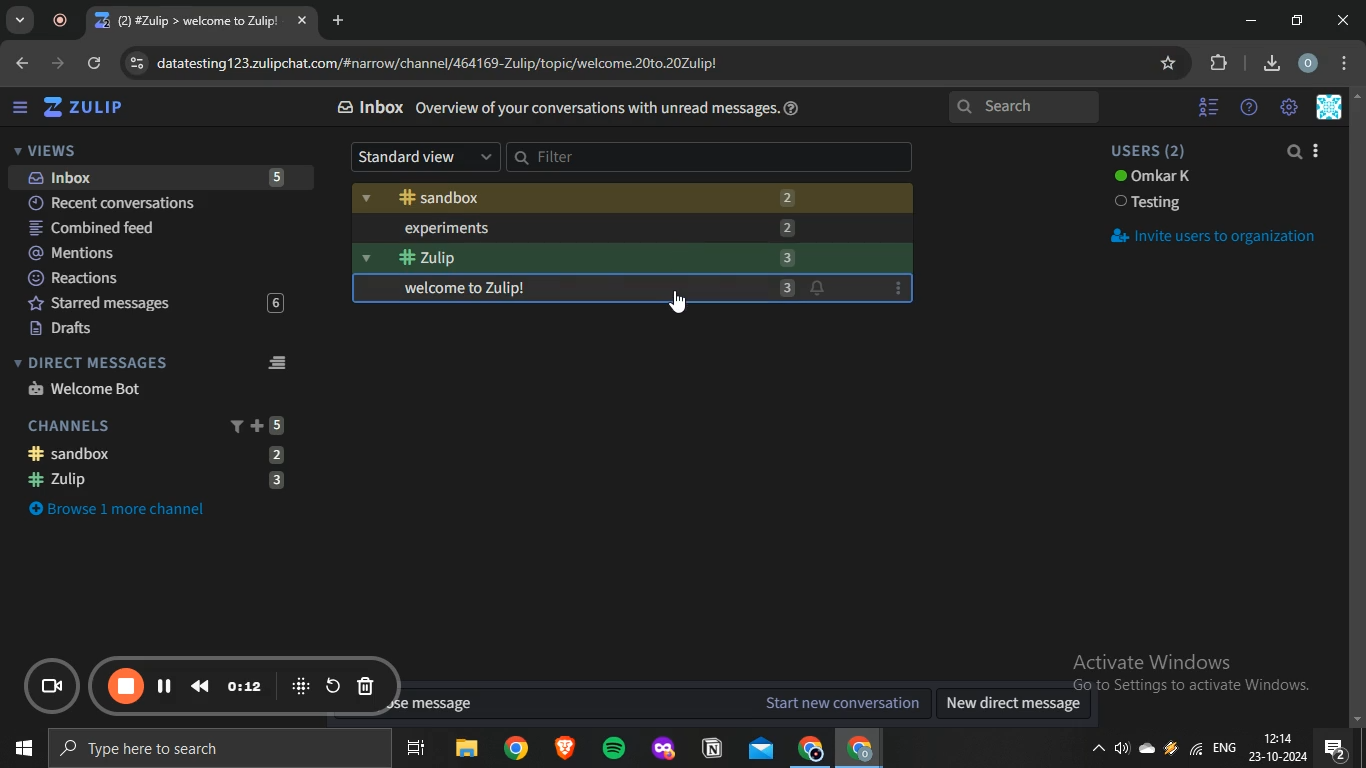 Image resolution: width=1366 pixels, height=768 pixels. I want to click on users, so click(1153, 151).